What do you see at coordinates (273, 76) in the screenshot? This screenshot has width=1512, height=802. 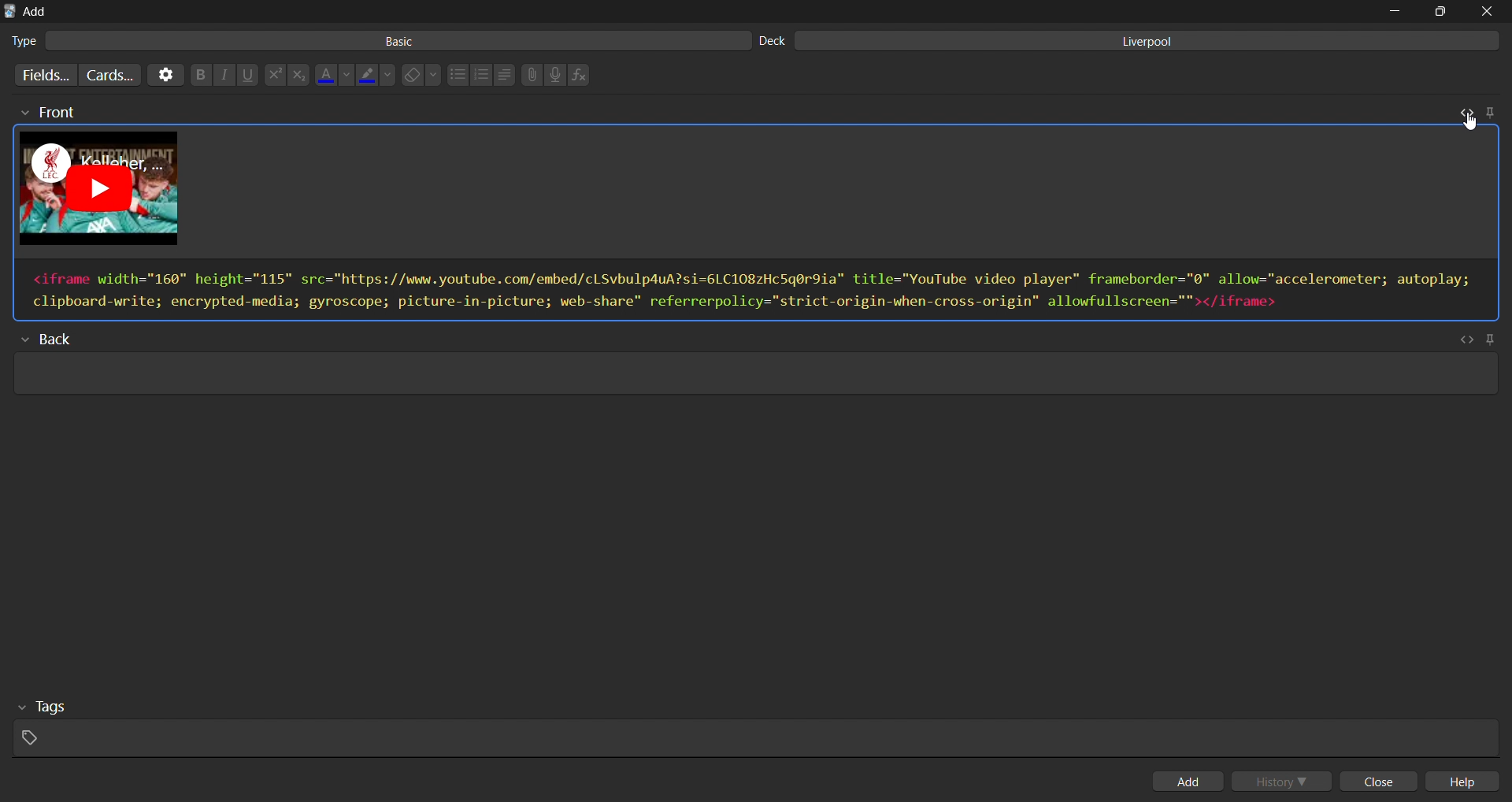 I see `superscript` at bounding box center [273, 76].